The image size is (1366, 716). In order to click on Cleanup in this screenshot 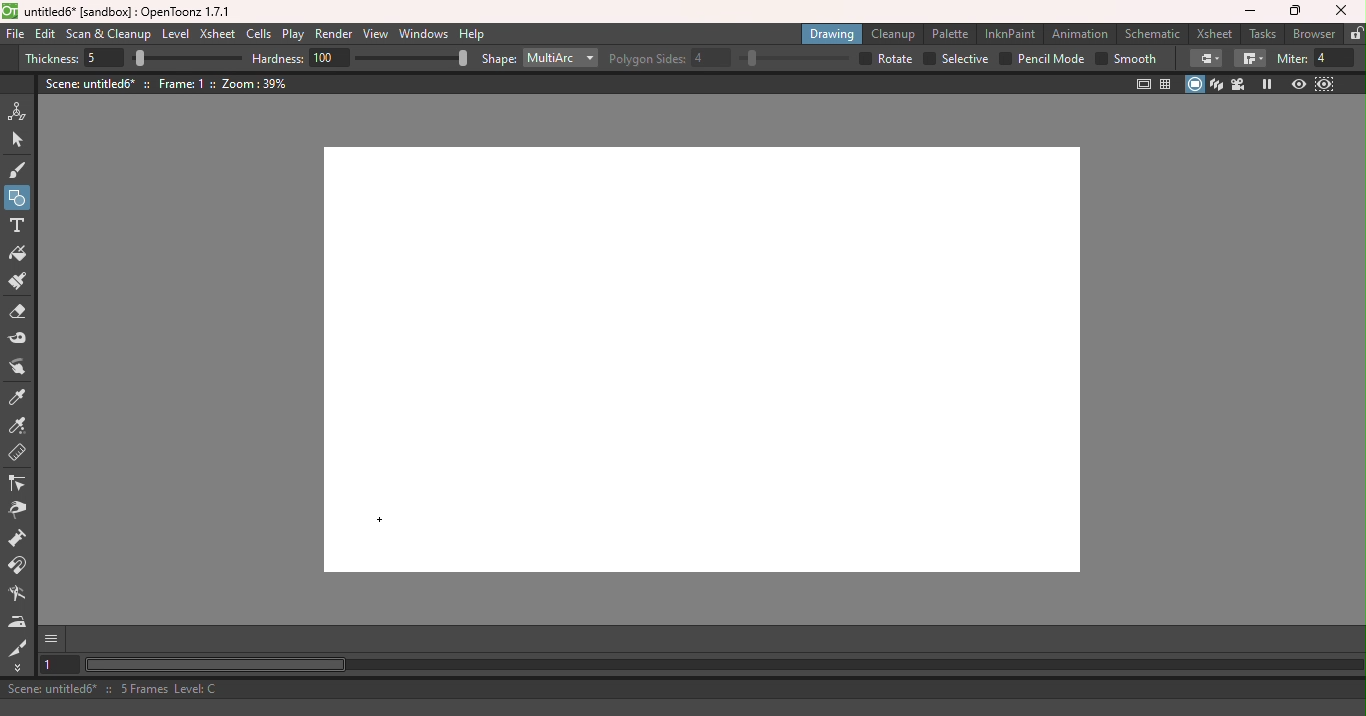, I will do `click(892, 35)`.